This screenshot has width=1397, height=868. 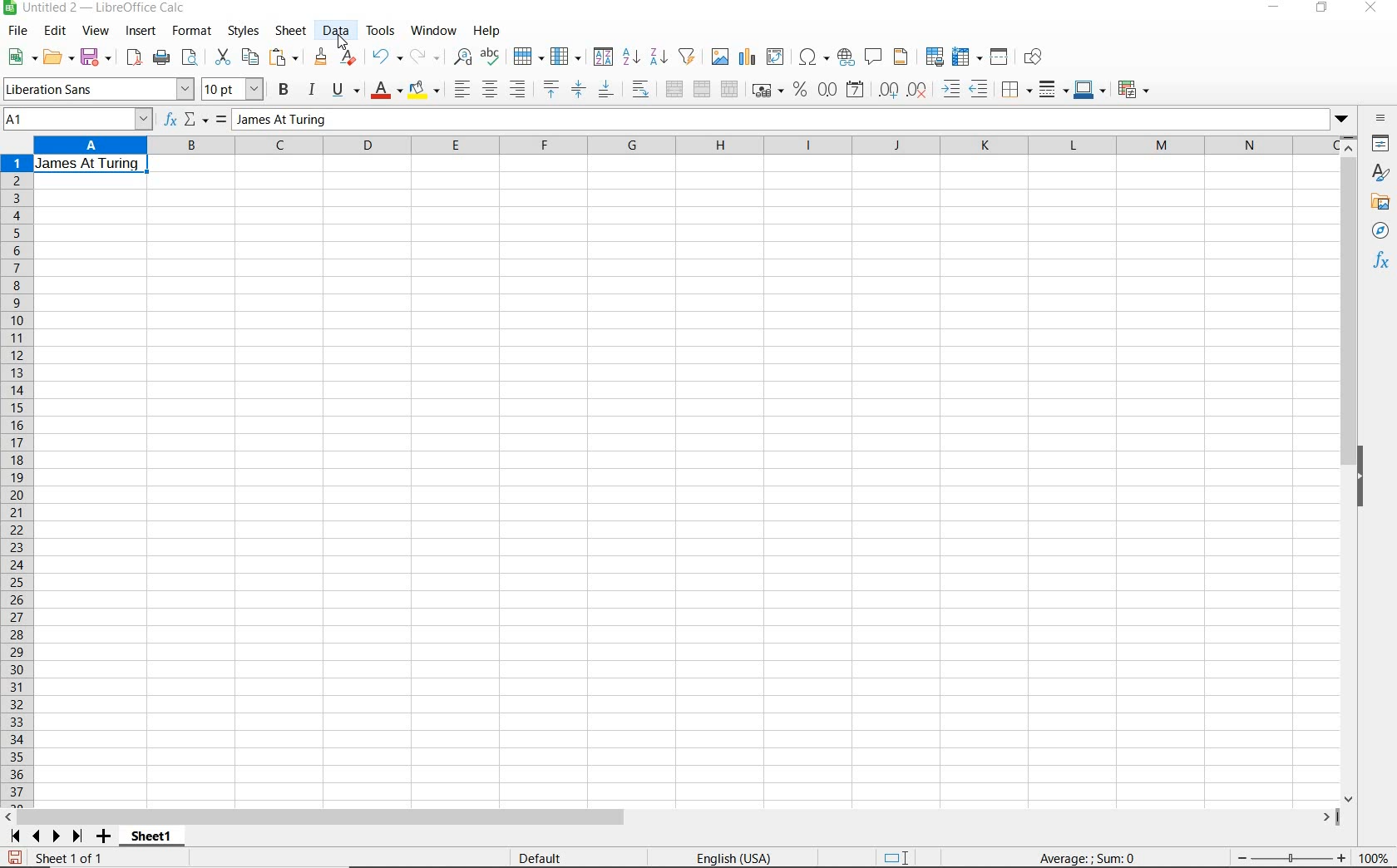 I want to click on file name, so click(x=98, y=8).